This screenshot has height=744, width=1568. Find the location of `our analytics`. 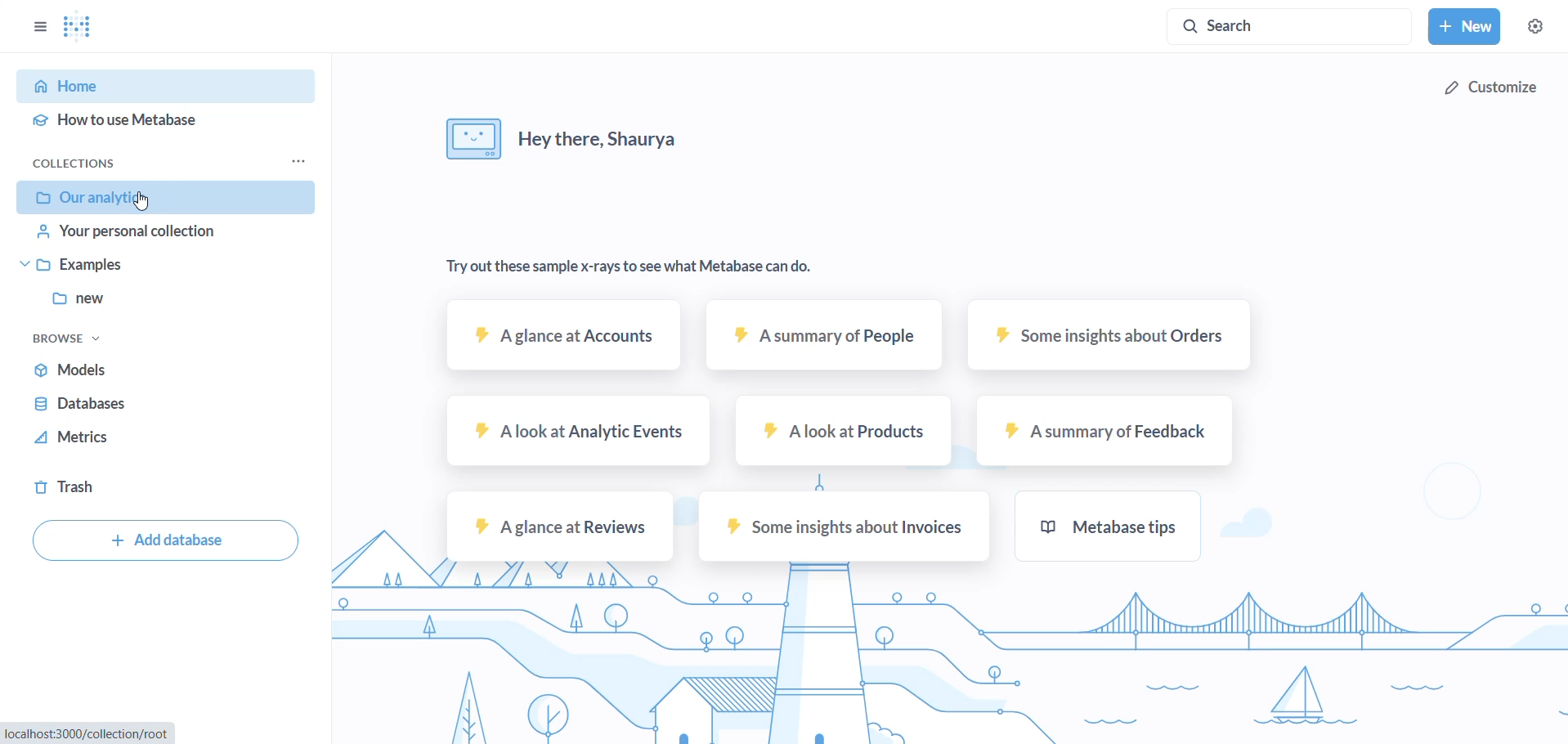

our analytics is located at coordinates (164, 198).